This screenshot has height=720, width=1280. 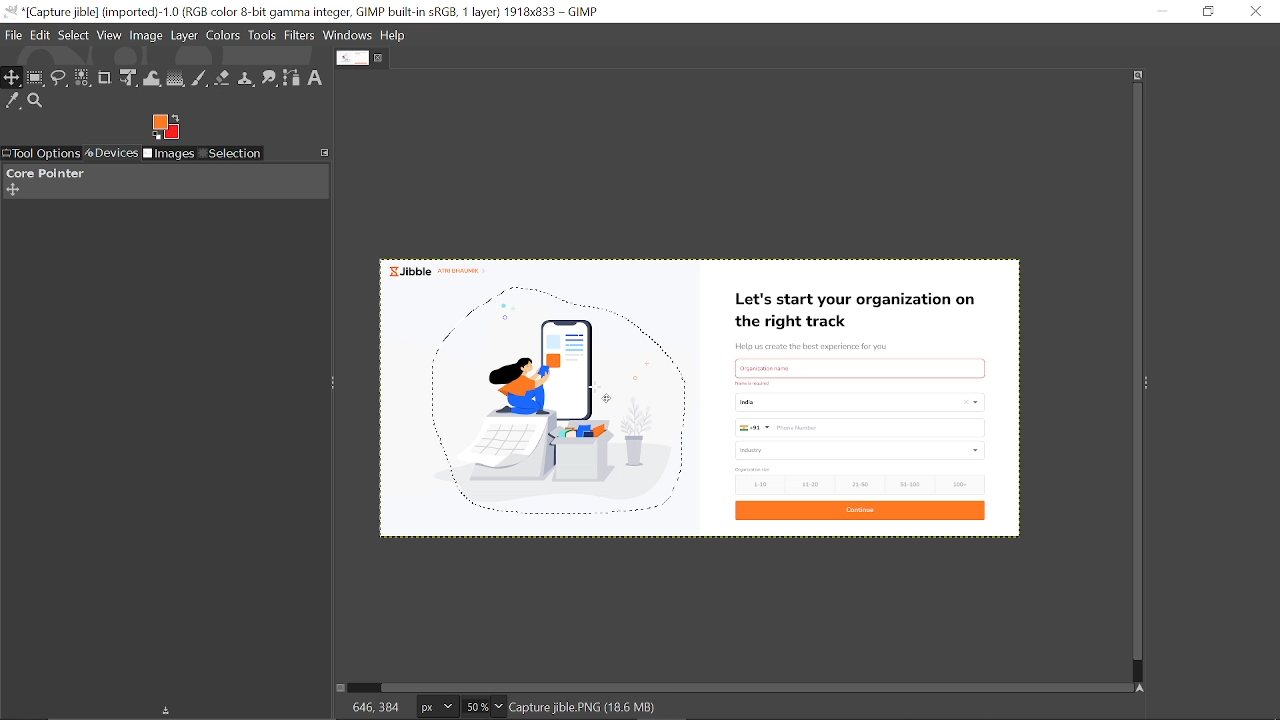 What do you see at coordinates (105, 78) in the screenshot?
I see `Crop text tool` at bounding box center [105, 78].